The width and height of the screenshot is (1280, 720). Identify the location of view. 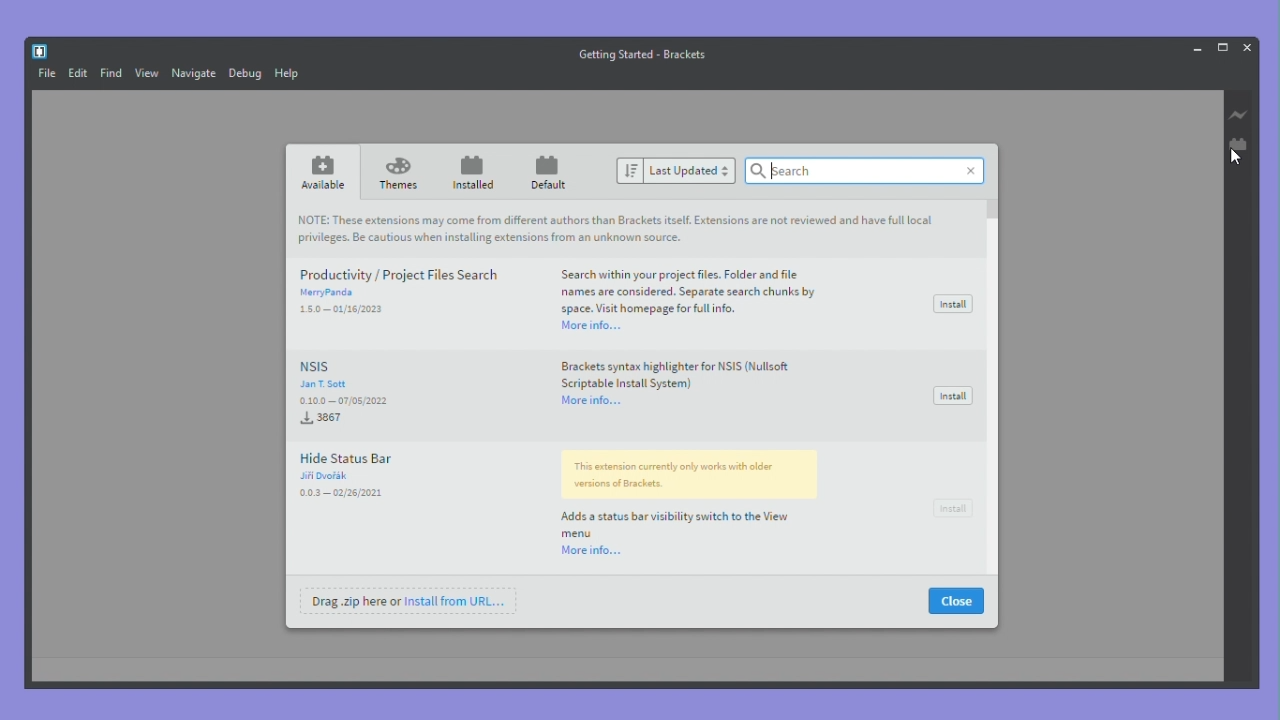
(149, 74).